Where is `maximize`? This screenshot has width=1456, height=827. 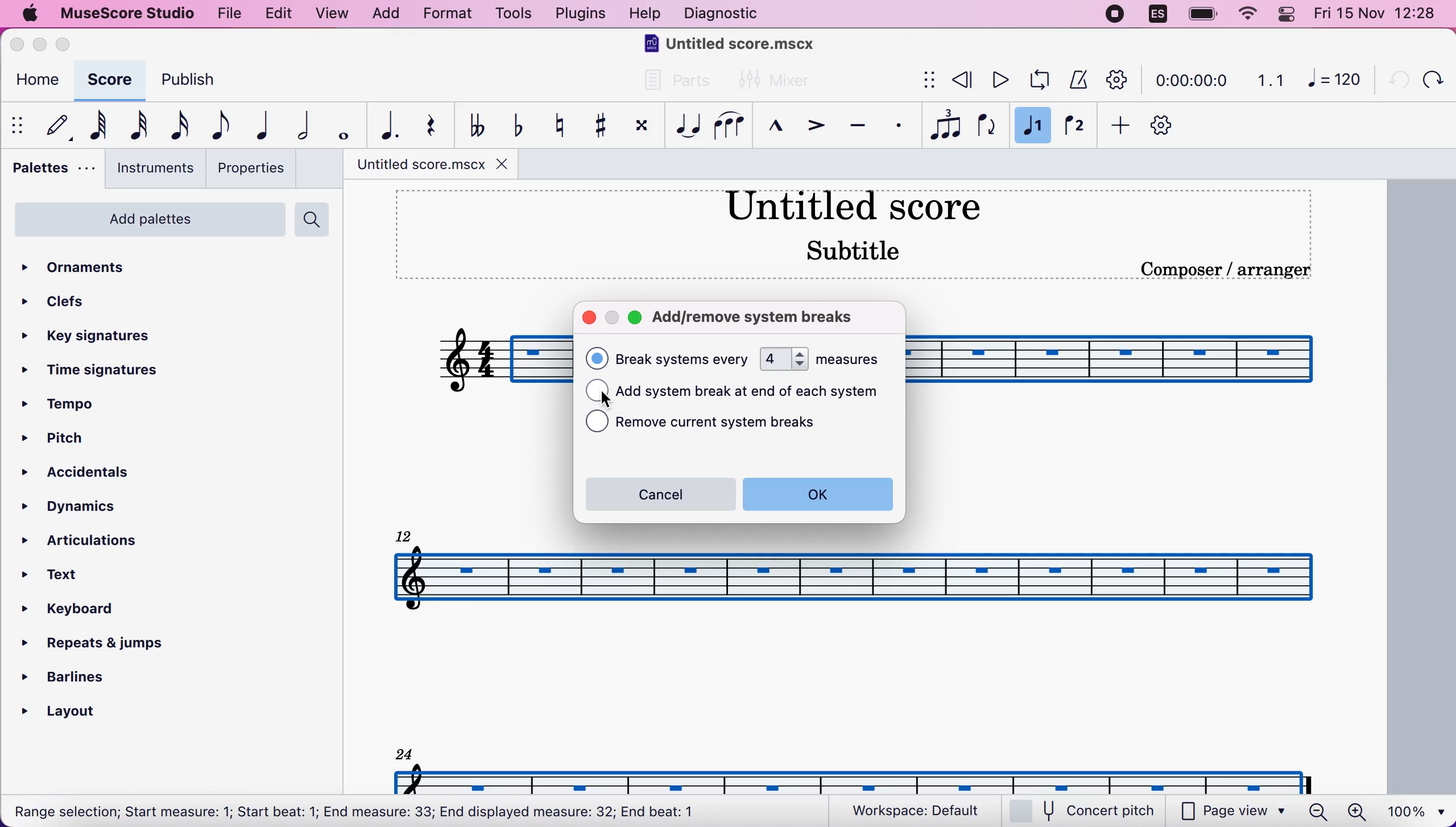 maximize is located at coordinates (636, 320).